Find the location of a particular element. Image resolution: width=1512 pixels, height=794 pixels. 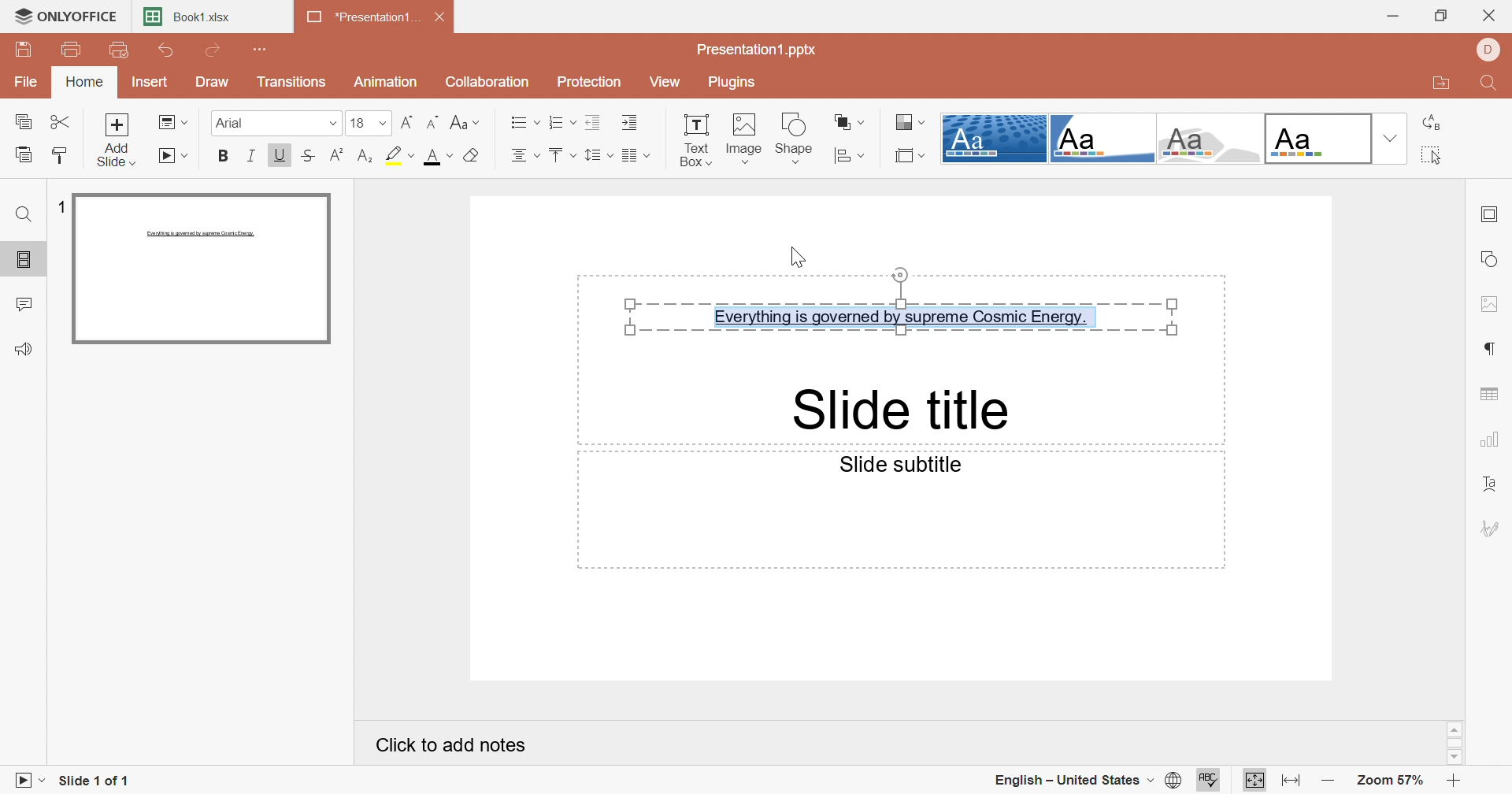

Find is located at coordinates (24, 212).